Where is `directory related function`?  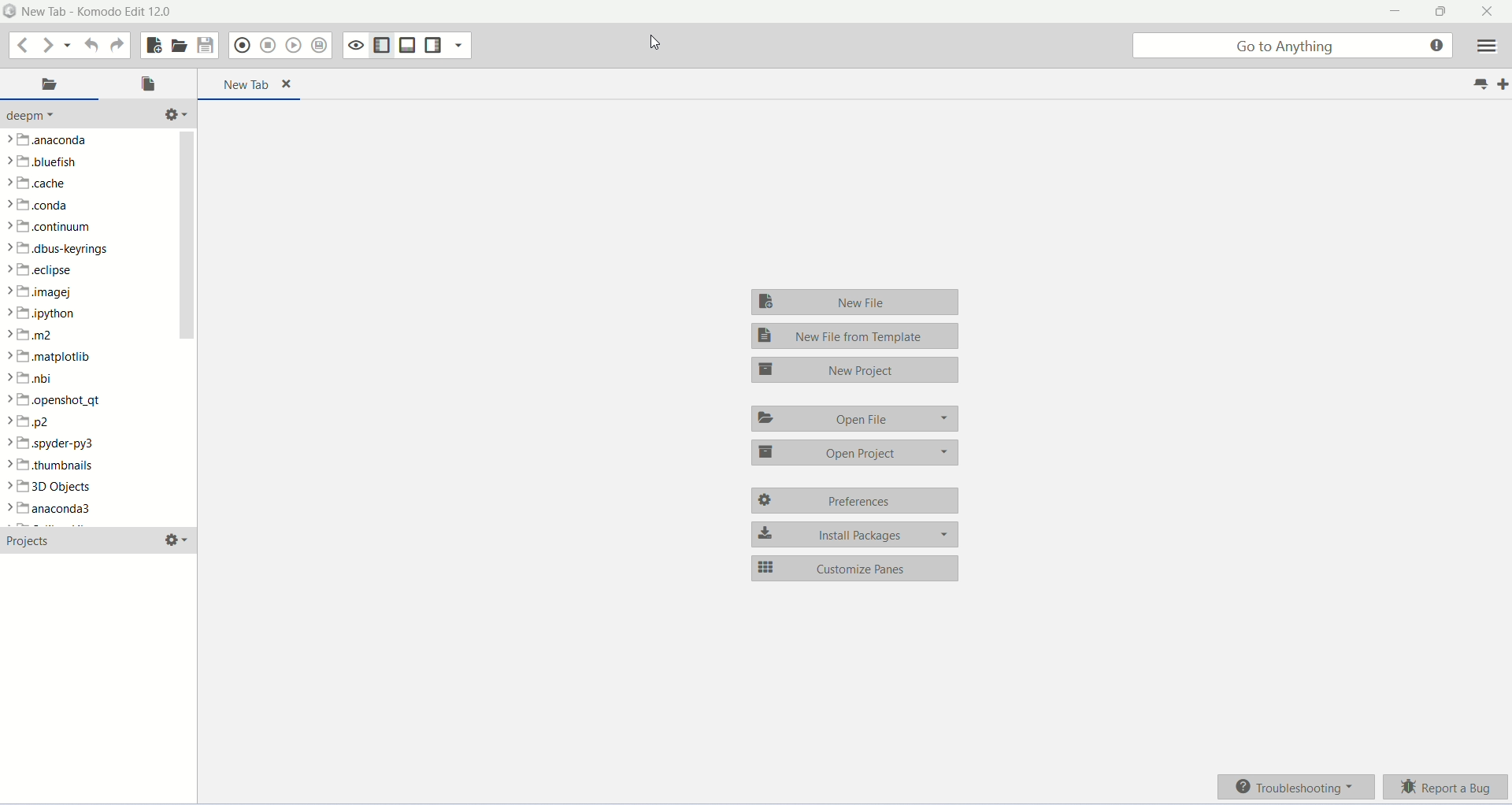
directory related function is located at coordinates (174, 114).